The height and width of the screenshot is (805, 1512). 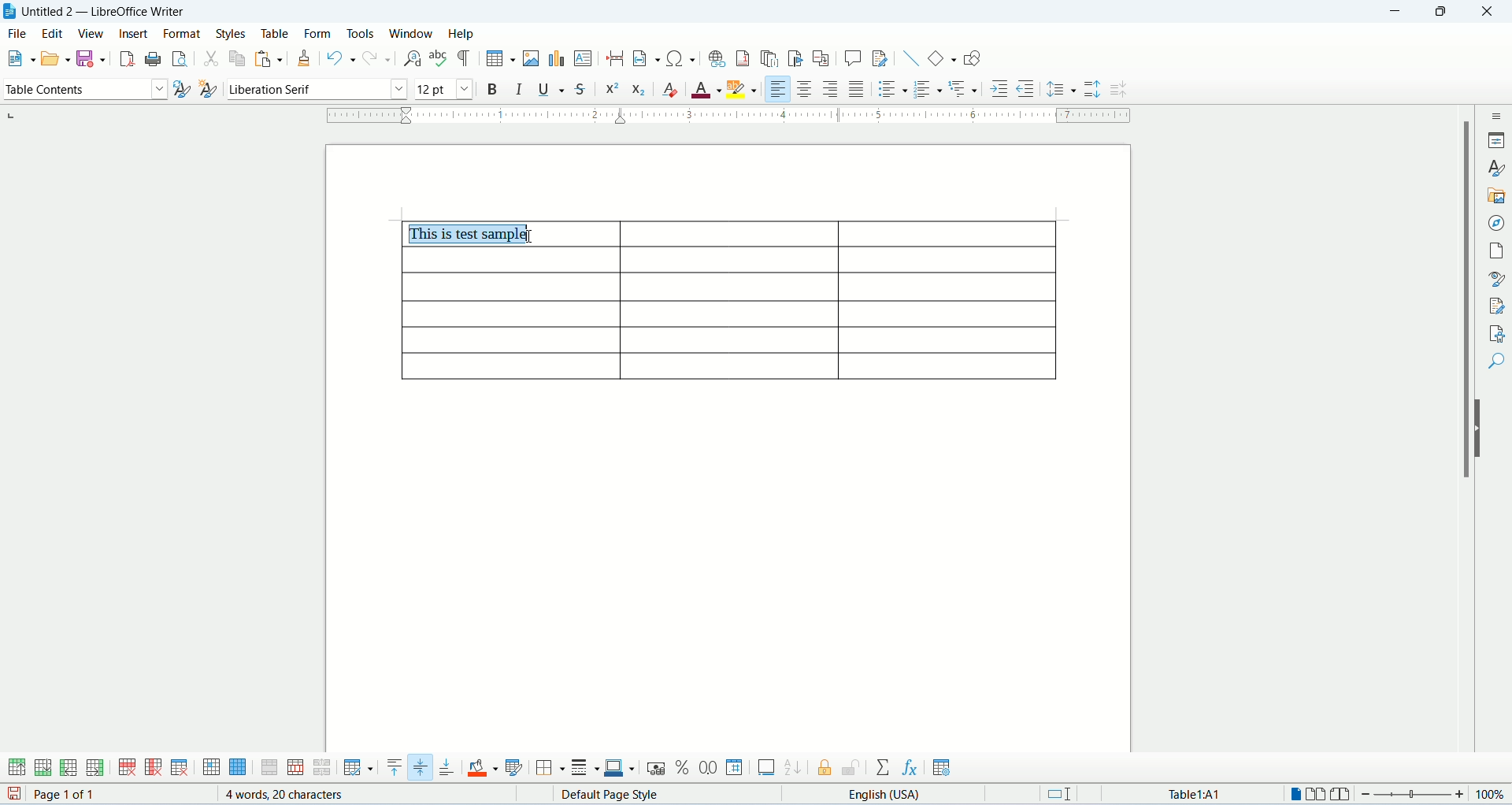 What do you see at coordinates (797, 56) in the screenshot?
I see `insert bookmark` at bounding box center [797, 56].